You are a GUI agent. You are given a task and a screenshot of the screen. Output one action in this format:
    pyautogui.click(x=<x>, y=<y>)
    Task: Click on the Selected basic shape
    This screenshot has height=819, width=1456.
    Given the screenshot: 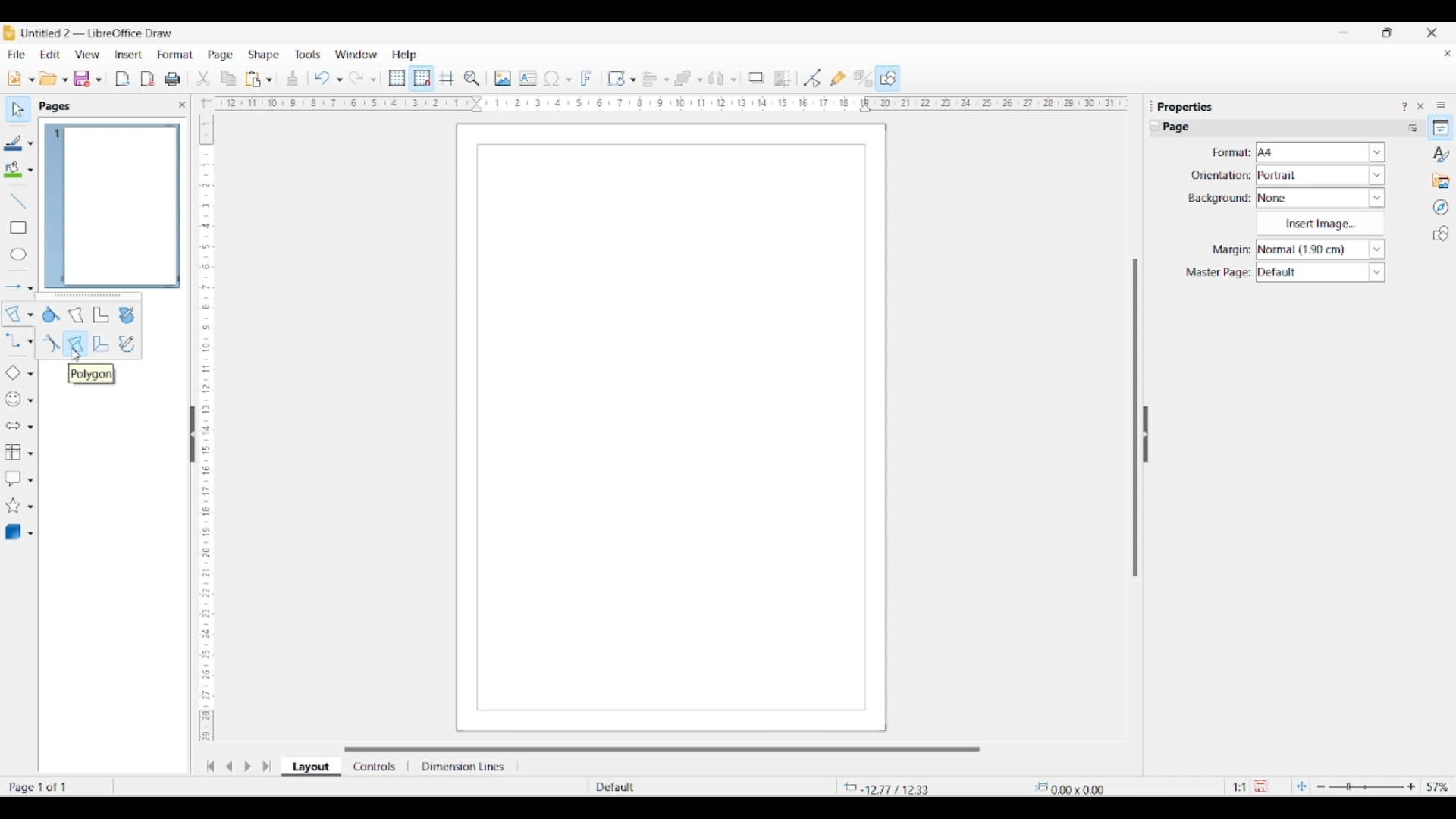 What is the action you would take?
    pyautogui.click(x=12, y=373)
    